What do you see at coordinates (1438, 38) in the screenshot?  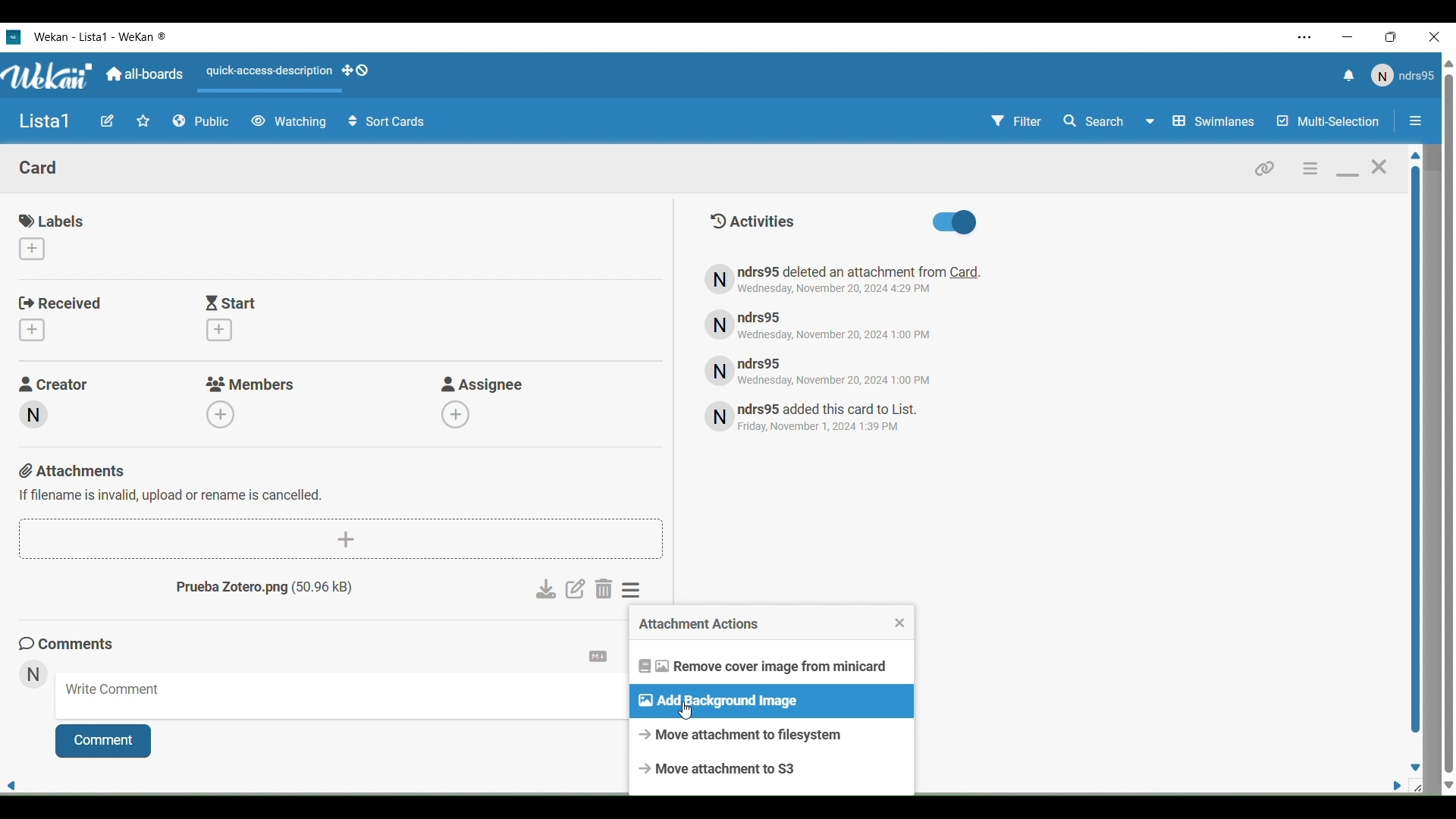 I see `Close` at bounding box center [1438, 38].